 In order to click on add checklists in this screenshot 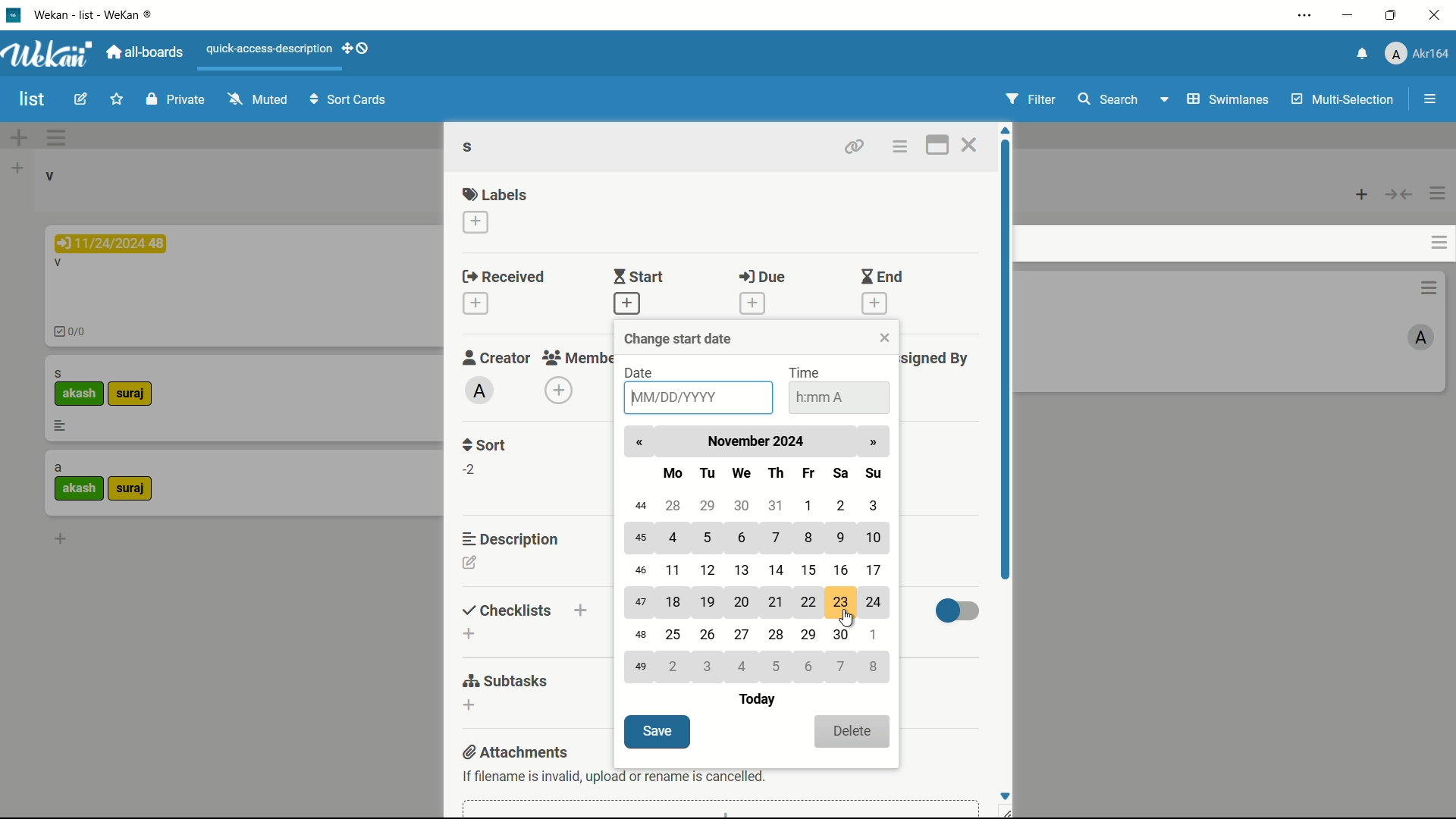, I will do `click(468, 634)`.